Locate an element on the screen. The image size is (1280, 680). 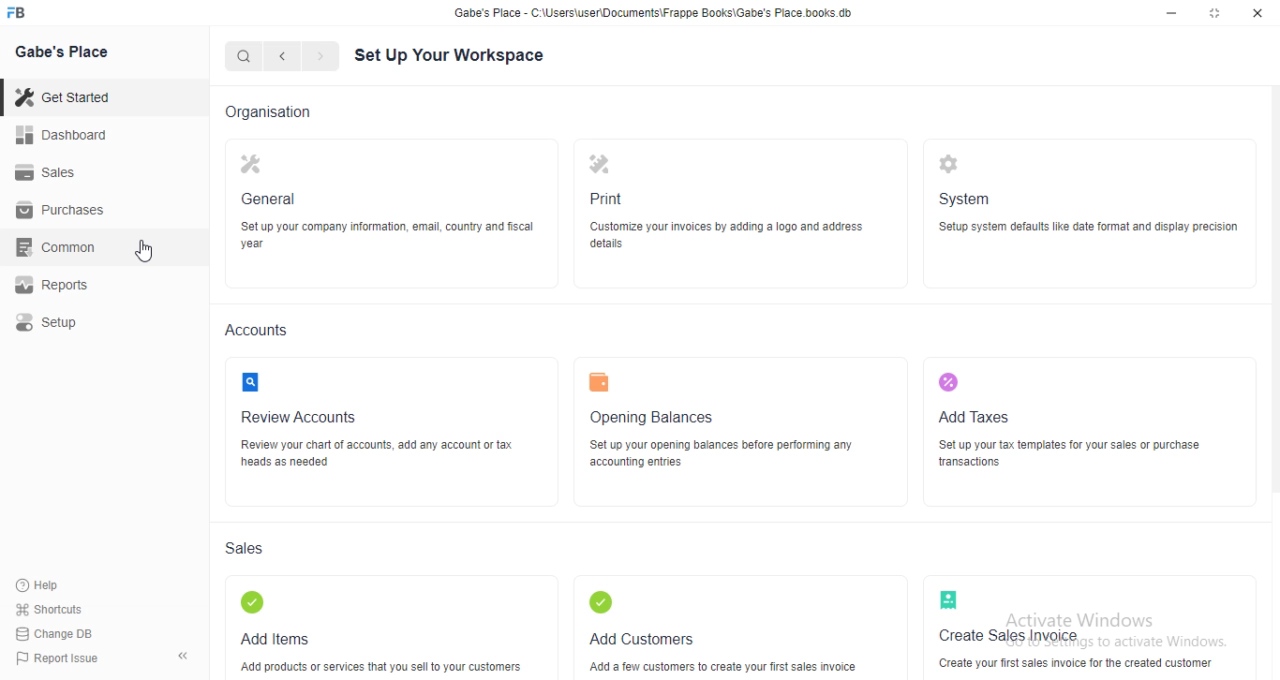
Common is located at coordinates (60, 245).